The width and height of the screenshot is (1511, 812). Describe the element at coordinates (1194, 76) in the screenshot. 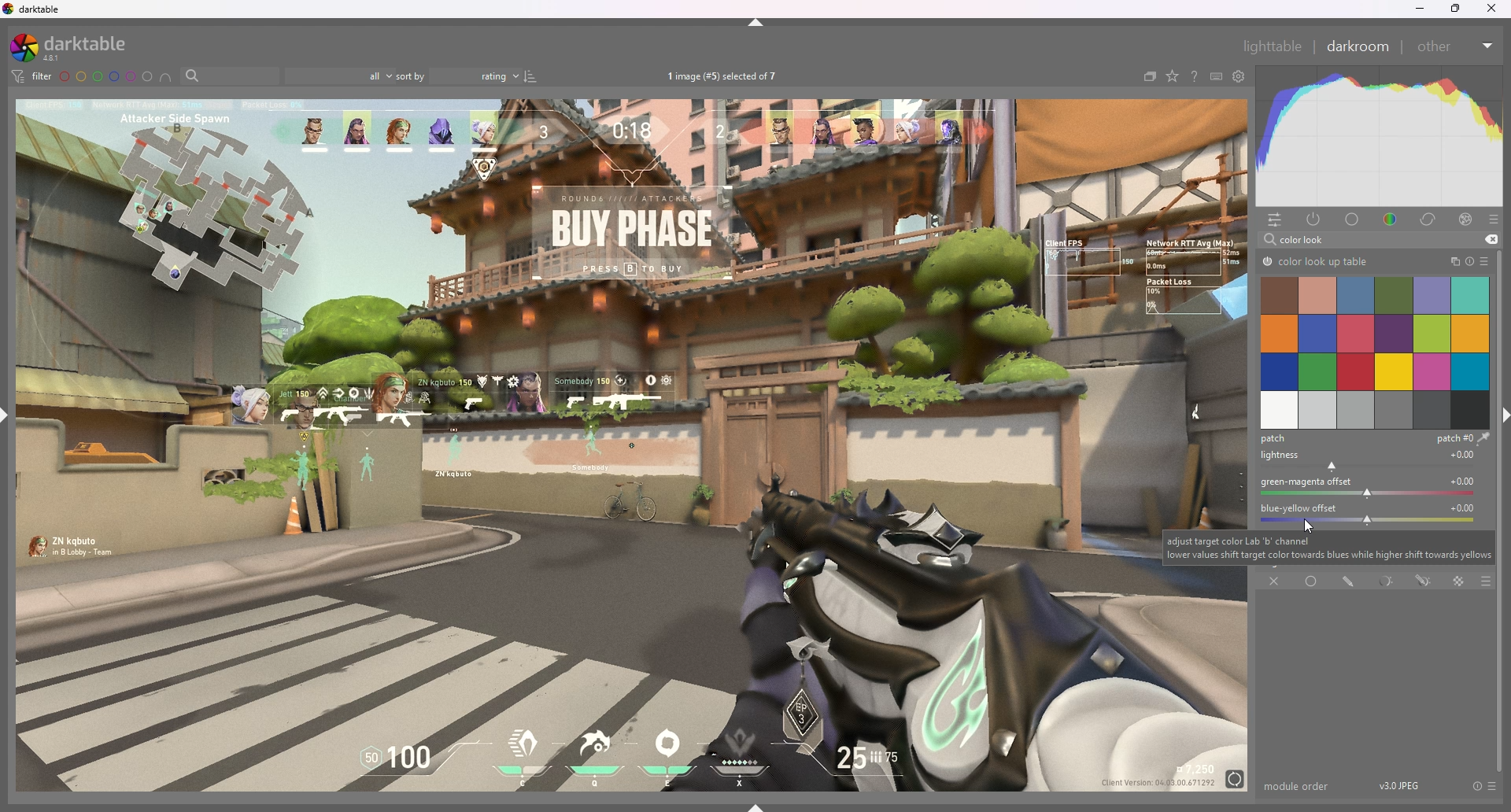

I see `help` at that location.